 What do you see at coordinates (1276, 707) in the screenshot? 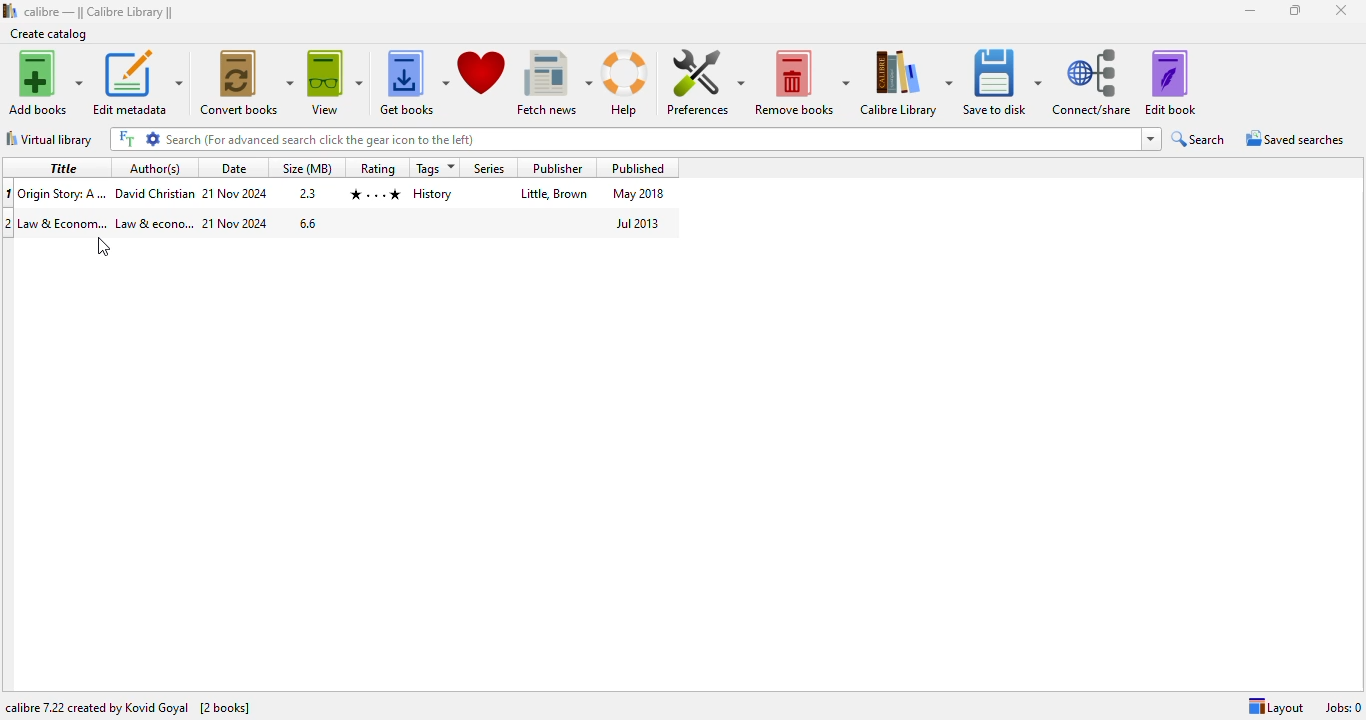
I see `layout` at bounding box center [1276, 707].